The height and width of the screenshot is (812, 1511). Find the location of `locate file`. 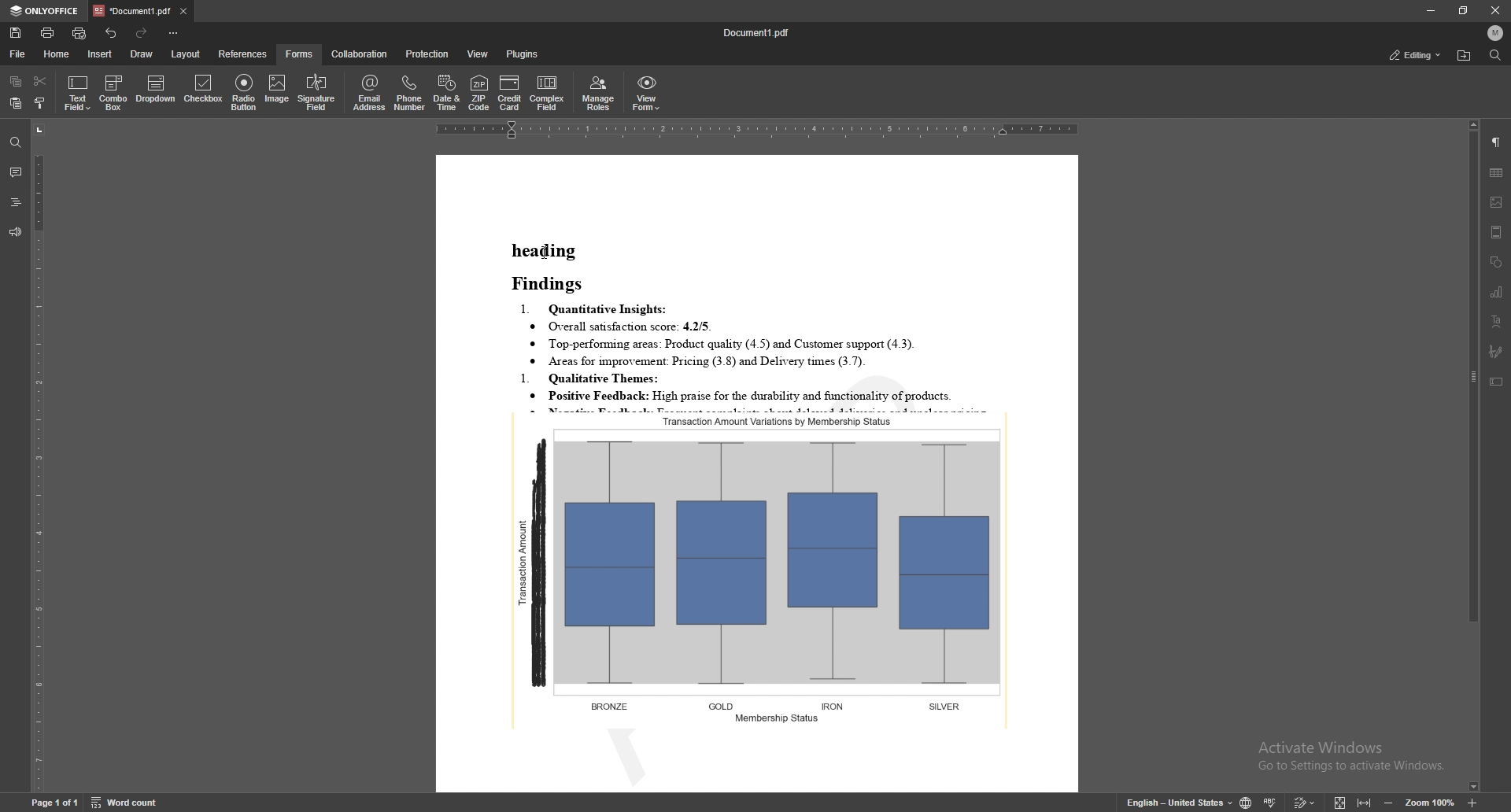

locate file is located at coordinates (1464, 57).